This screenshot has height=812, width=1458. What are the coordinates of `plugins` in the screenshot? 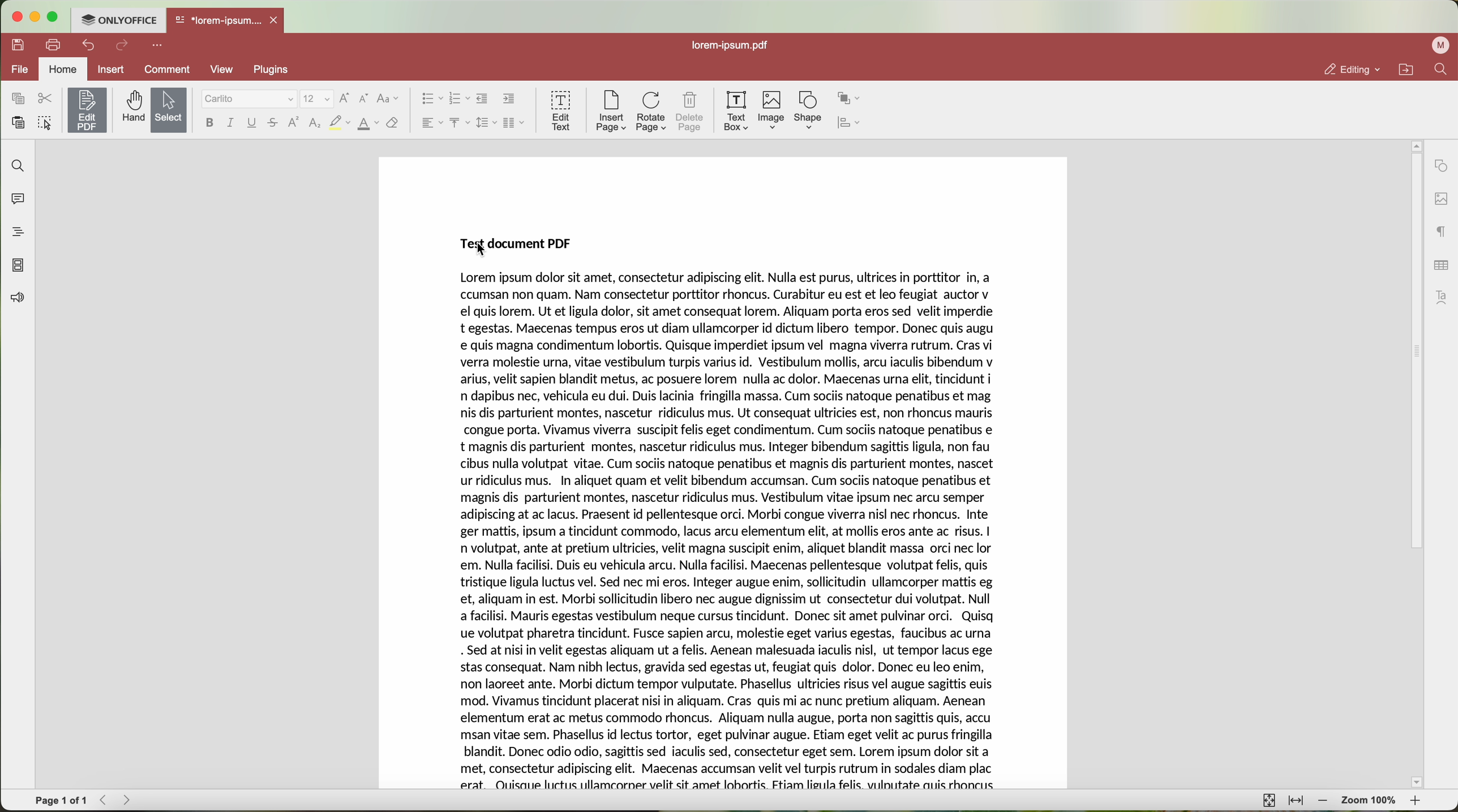 It's located at (273, 71).